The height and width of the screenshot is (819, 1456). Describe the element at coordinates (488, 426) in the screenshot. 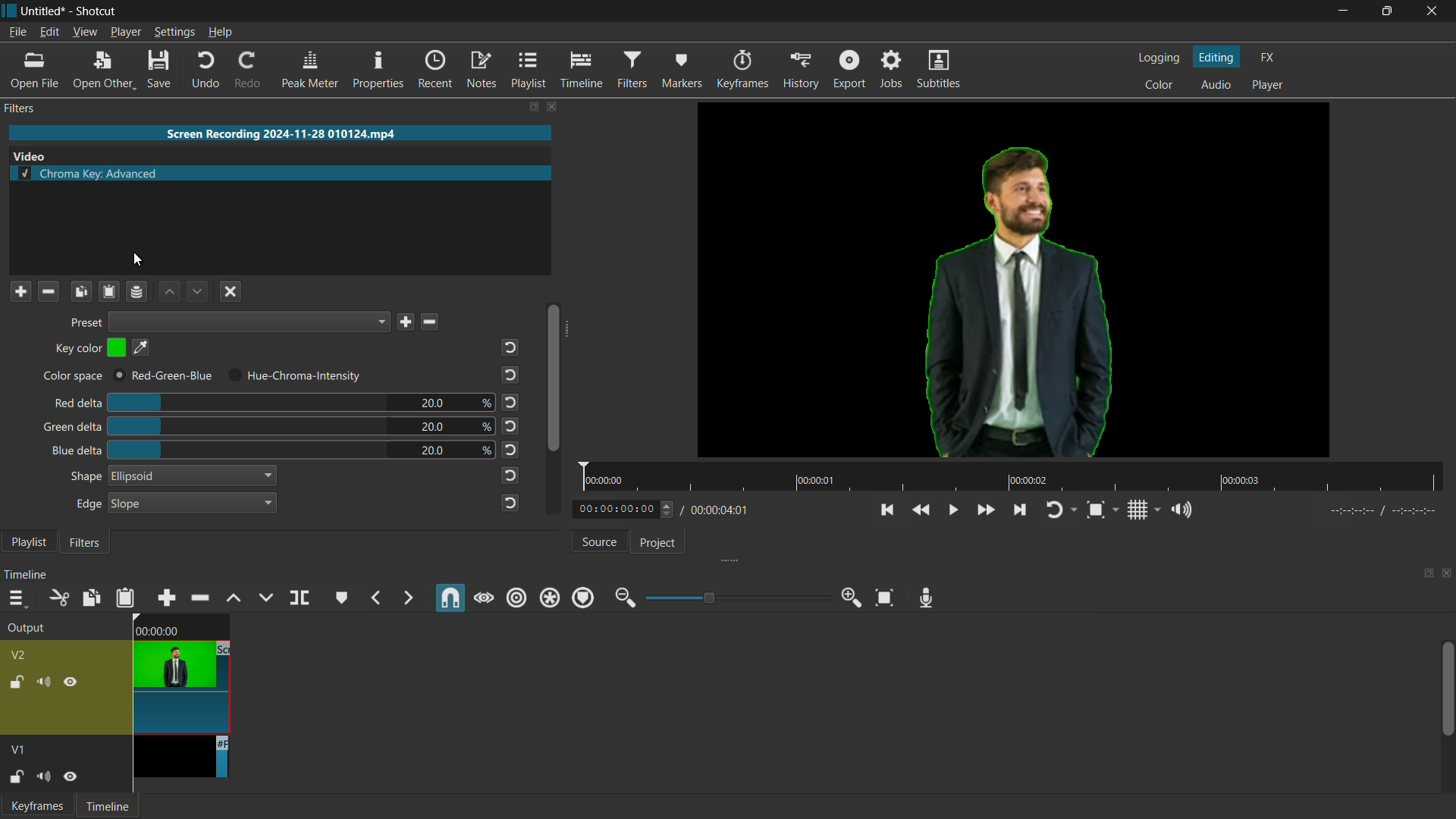

I see `%` at that location.